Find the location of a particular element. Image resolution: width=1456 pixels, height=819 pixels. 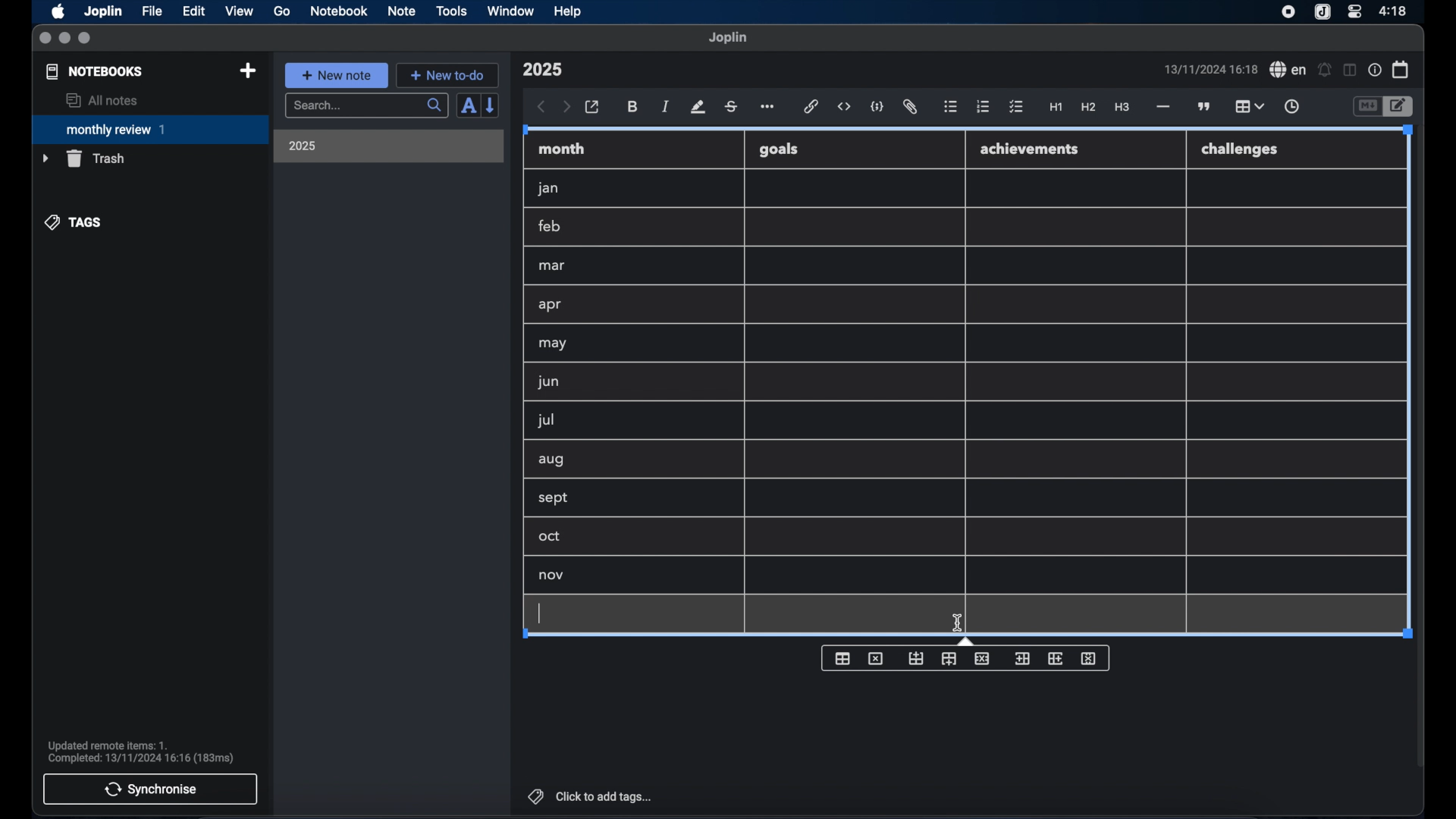

delete table is located at coordinates (876, 657).